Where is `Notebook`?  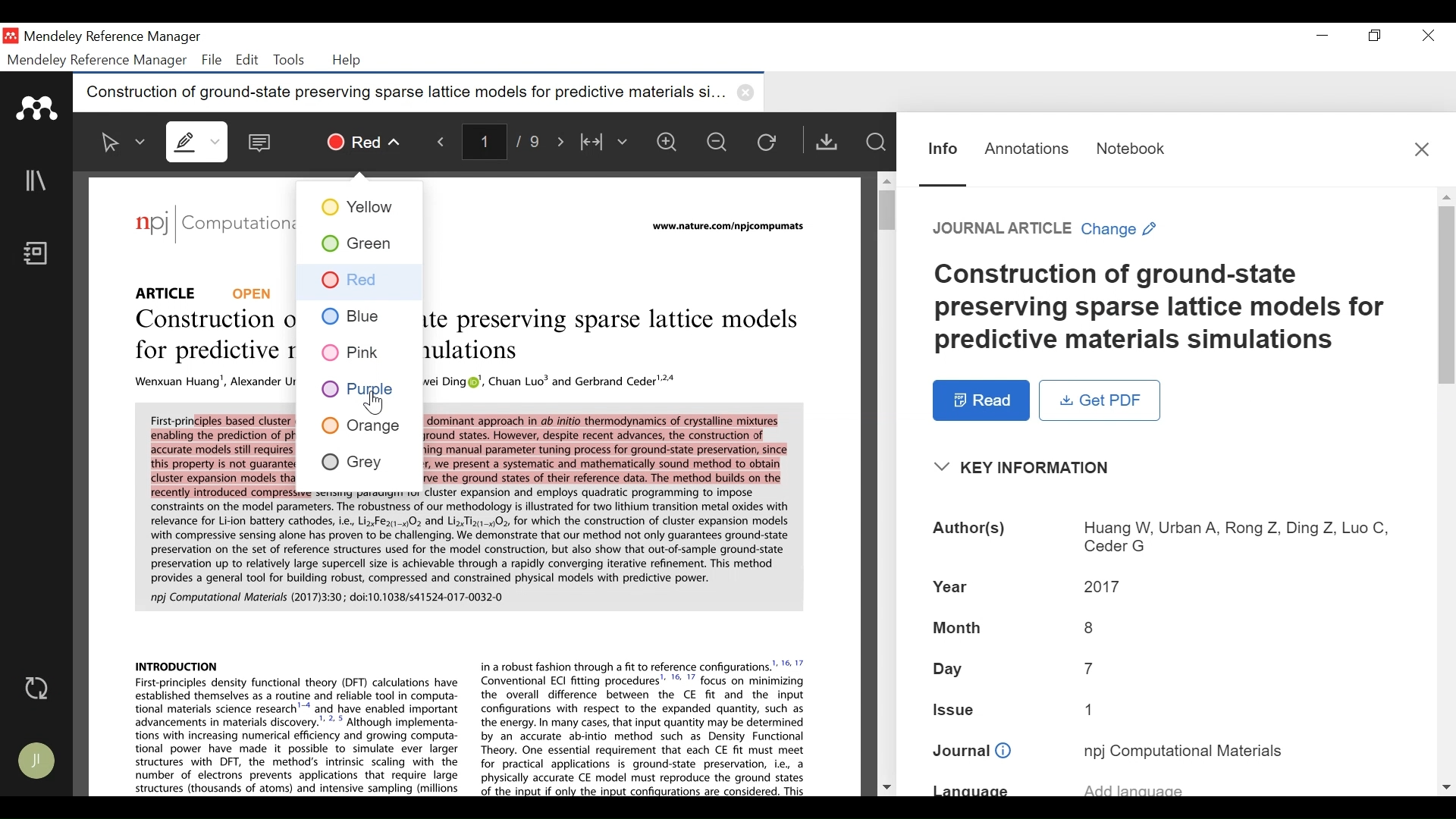 Notebook is located at coordinates (1138, 152).